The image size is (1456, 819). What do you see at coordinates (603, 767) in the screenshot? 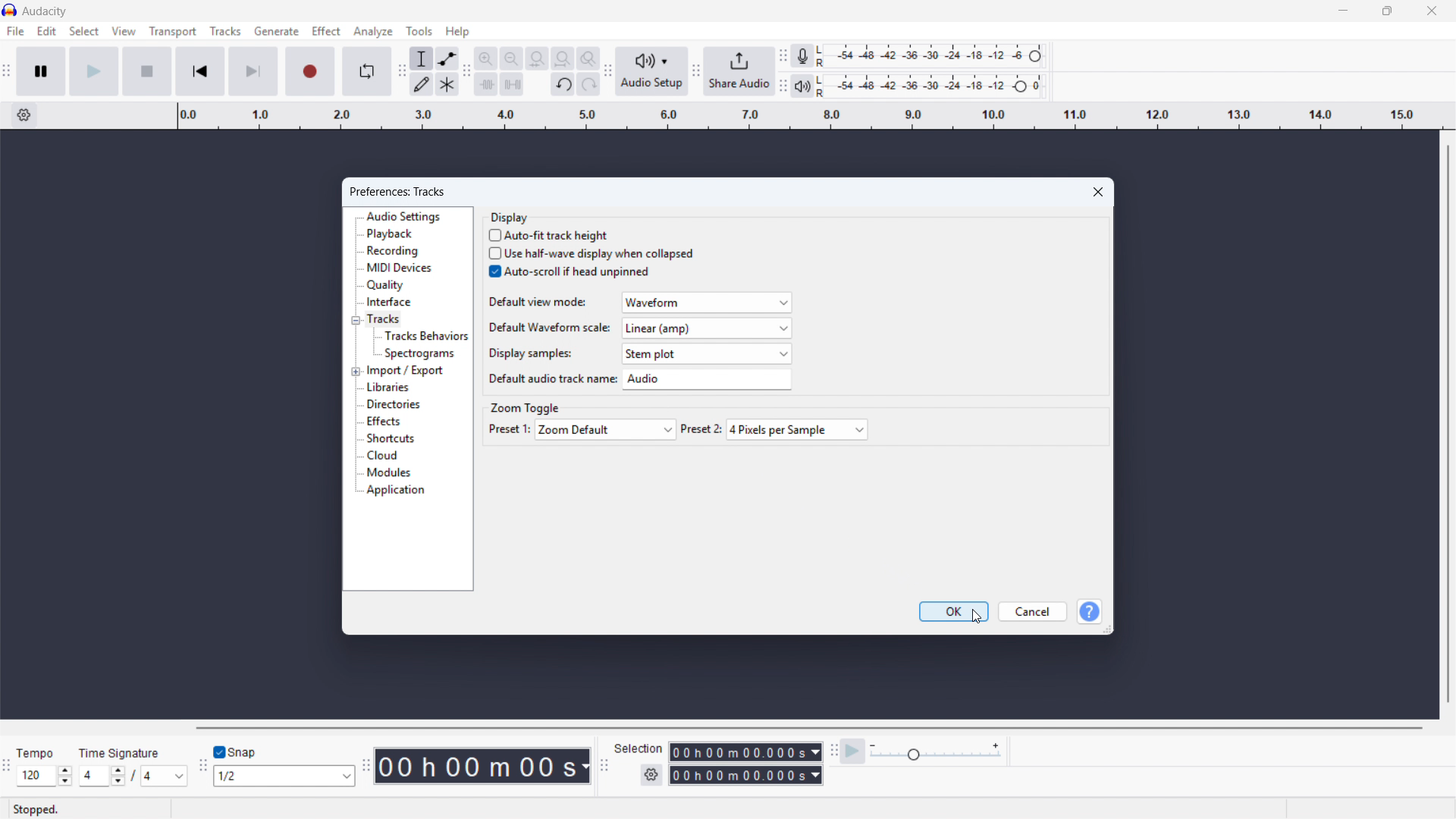
I see `selection toolbar` at bounding box center [603, 767].